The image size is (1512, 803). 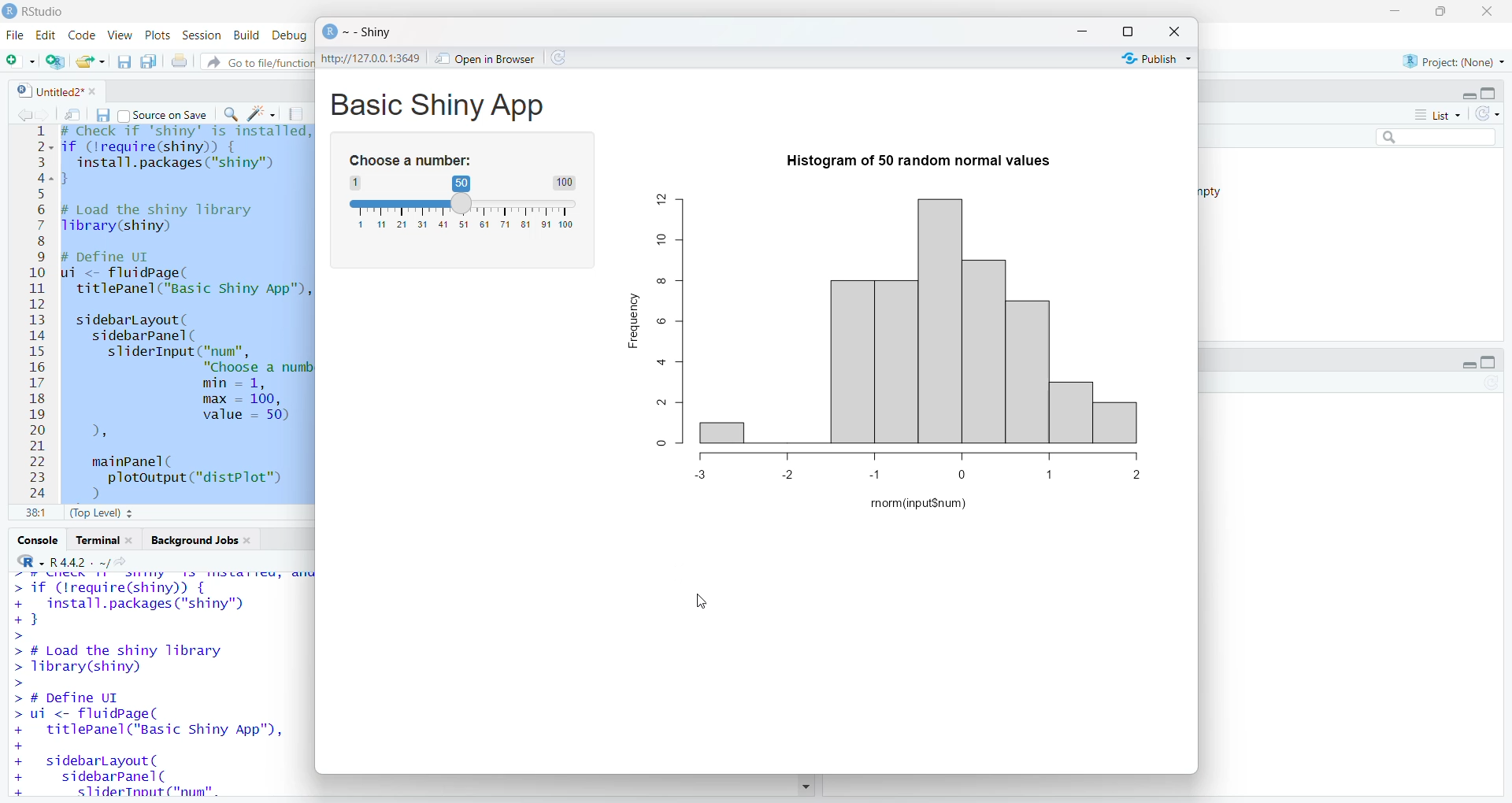 What do you see at coordinates (132, 540) in the screenshot?
I see `close` at bounding box center [132, 540].